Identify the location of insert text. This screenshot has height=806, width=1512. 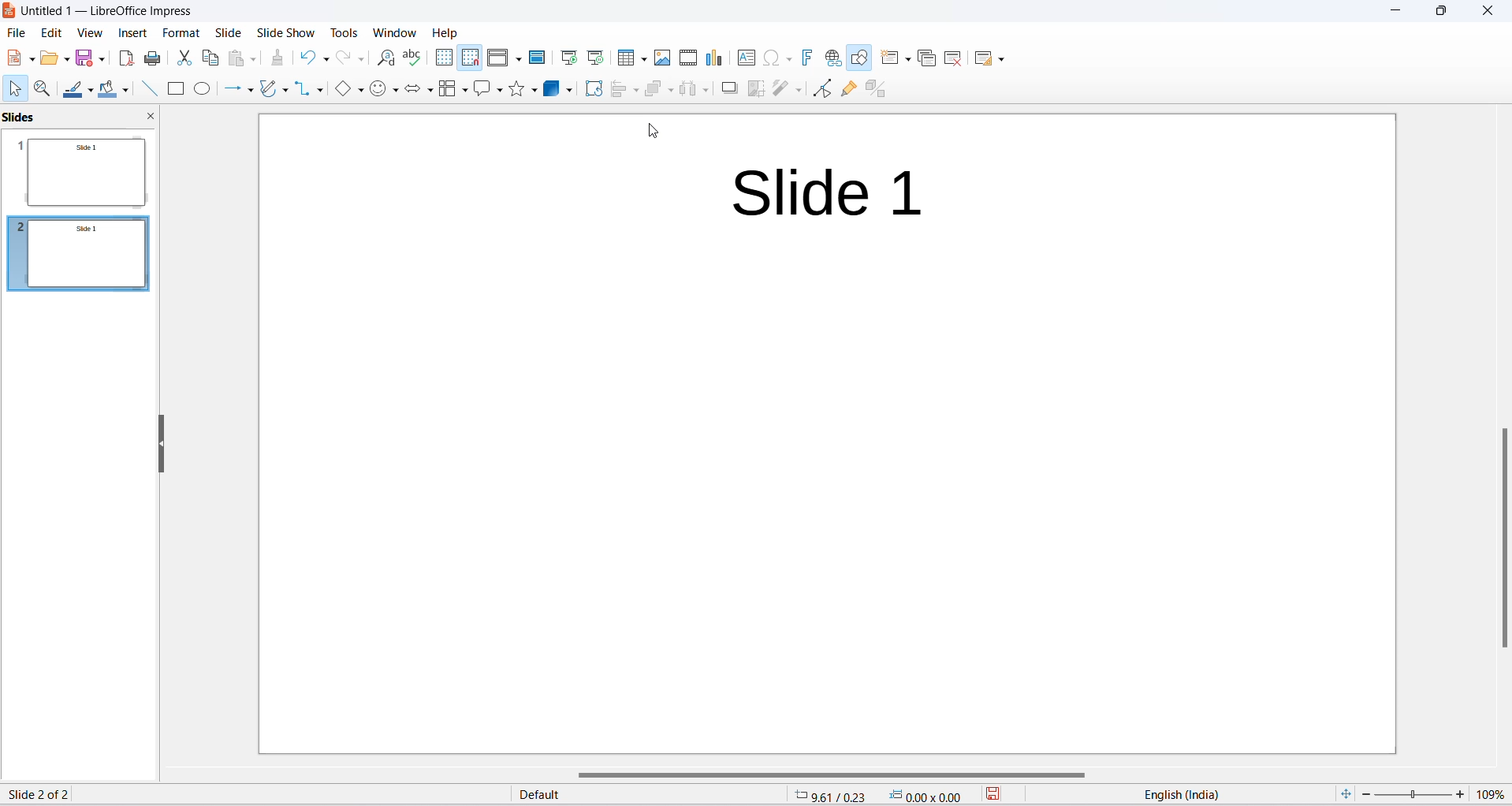
(747, 62).